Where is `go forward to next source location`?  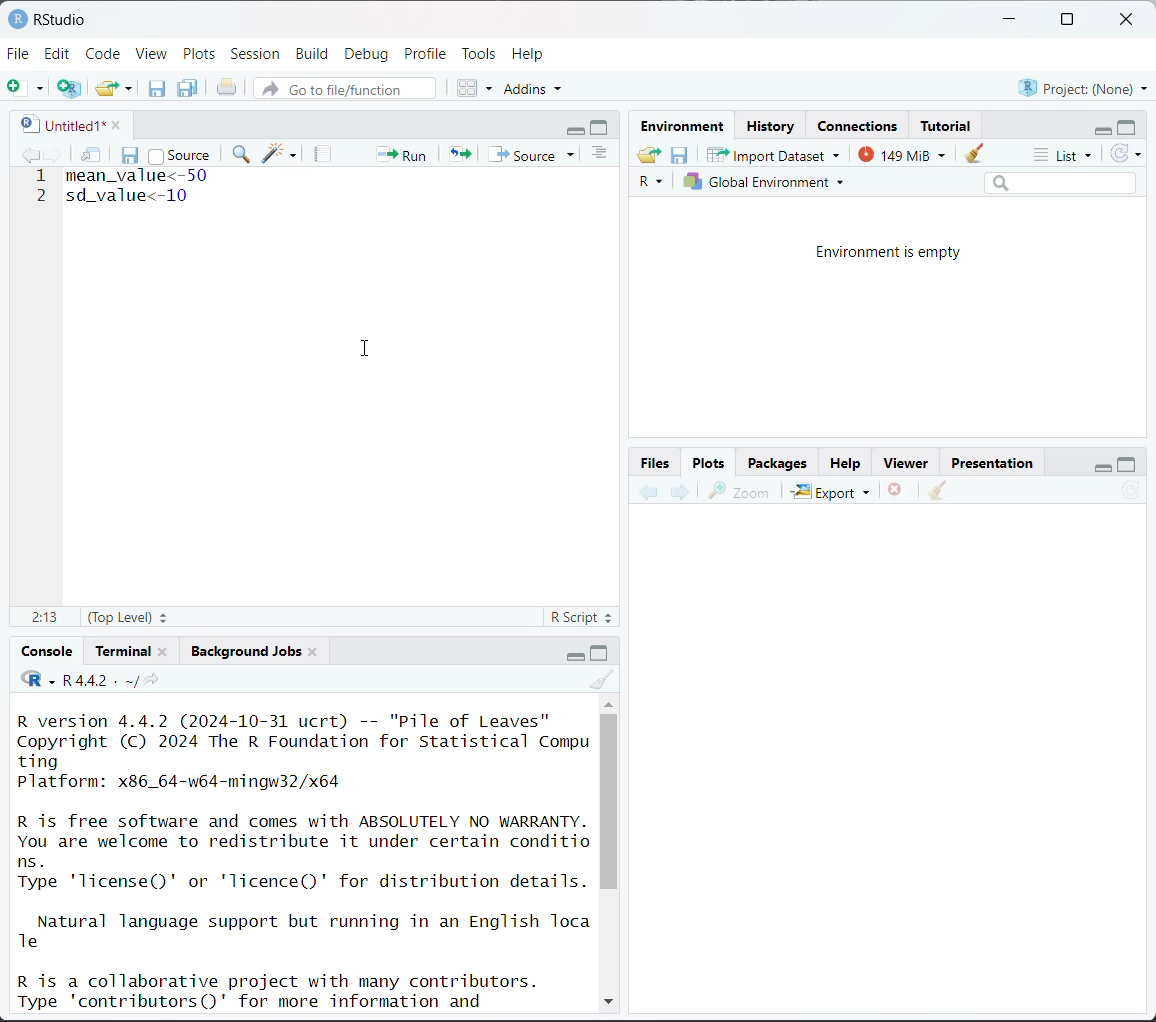
go forward to next source location is located at coordinates (54, 156).